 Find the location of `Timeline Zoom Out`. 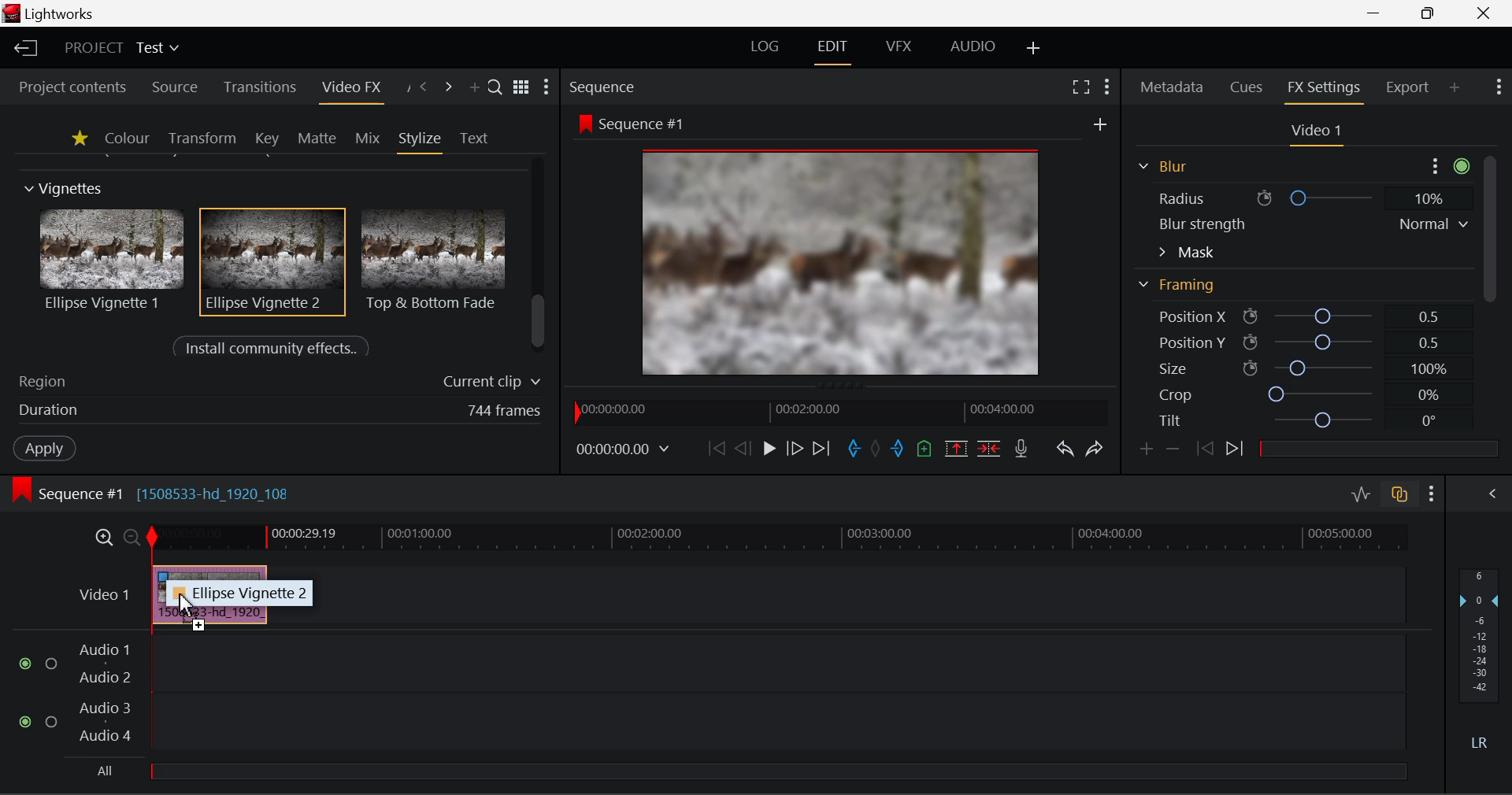

Timeline Zoom Out is located at coordinates (131, 536).